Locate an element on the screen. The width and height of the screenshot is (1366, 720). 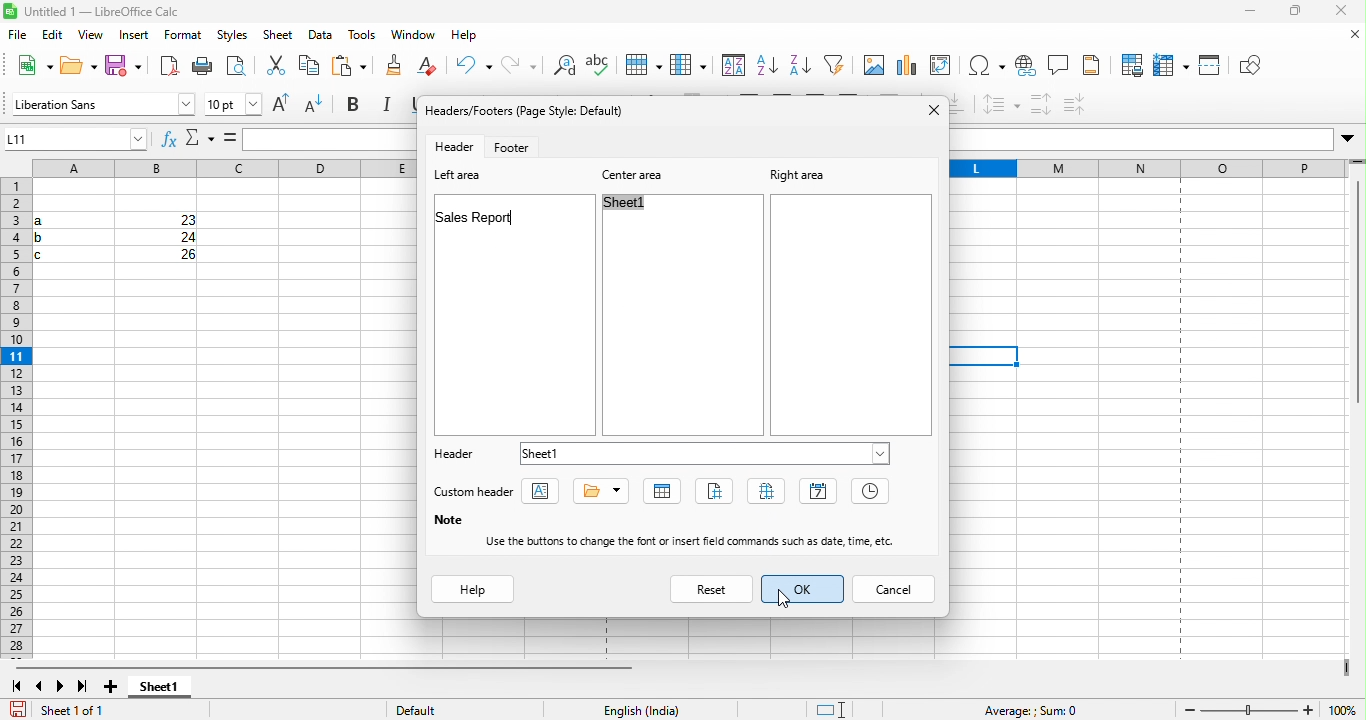
cursor movement is located at coordinates (787, 602).